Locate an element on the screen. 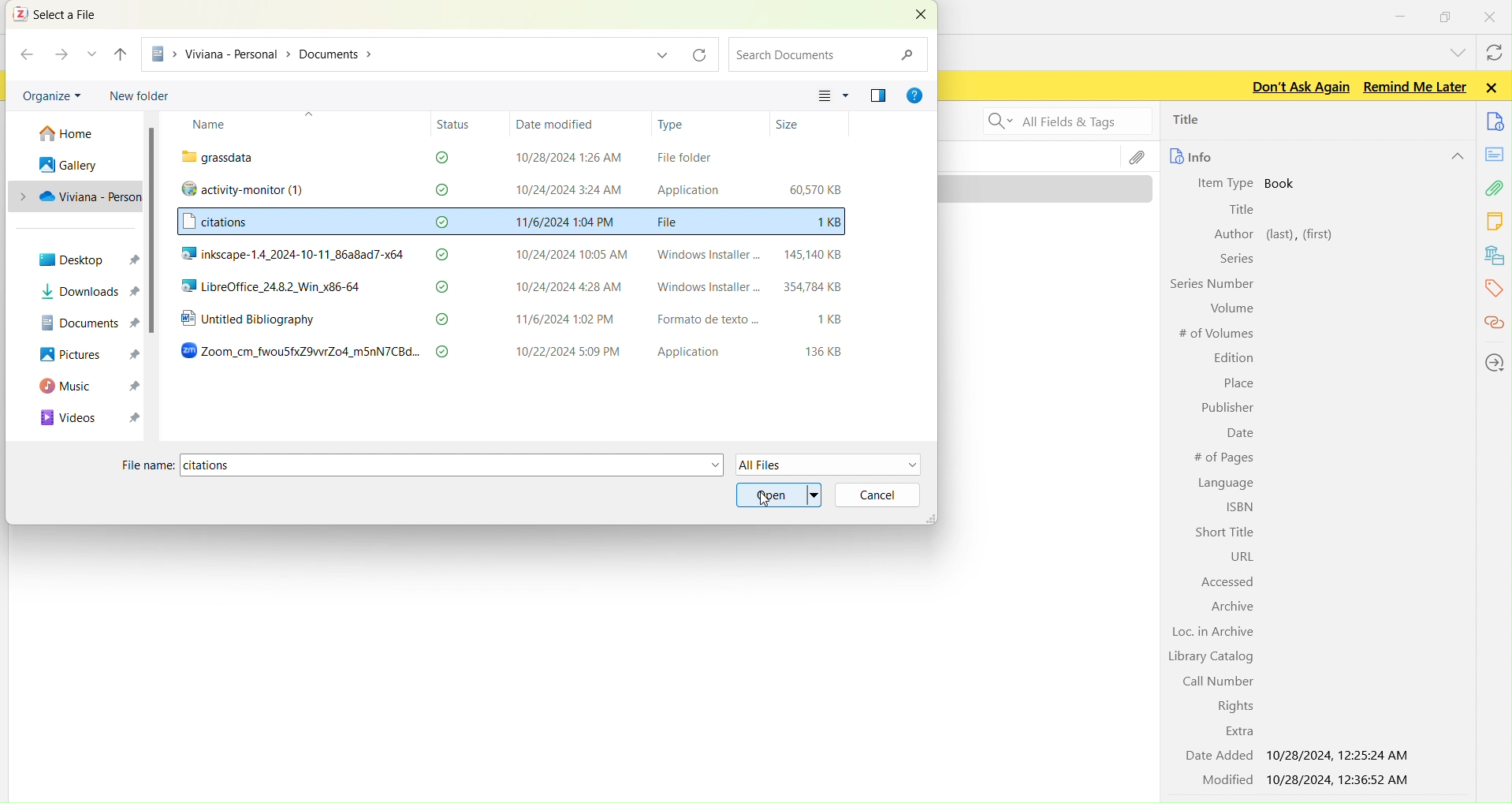 The height and width of the screenshot is (803, 1512). Title is located at coordinates (1242, 210).